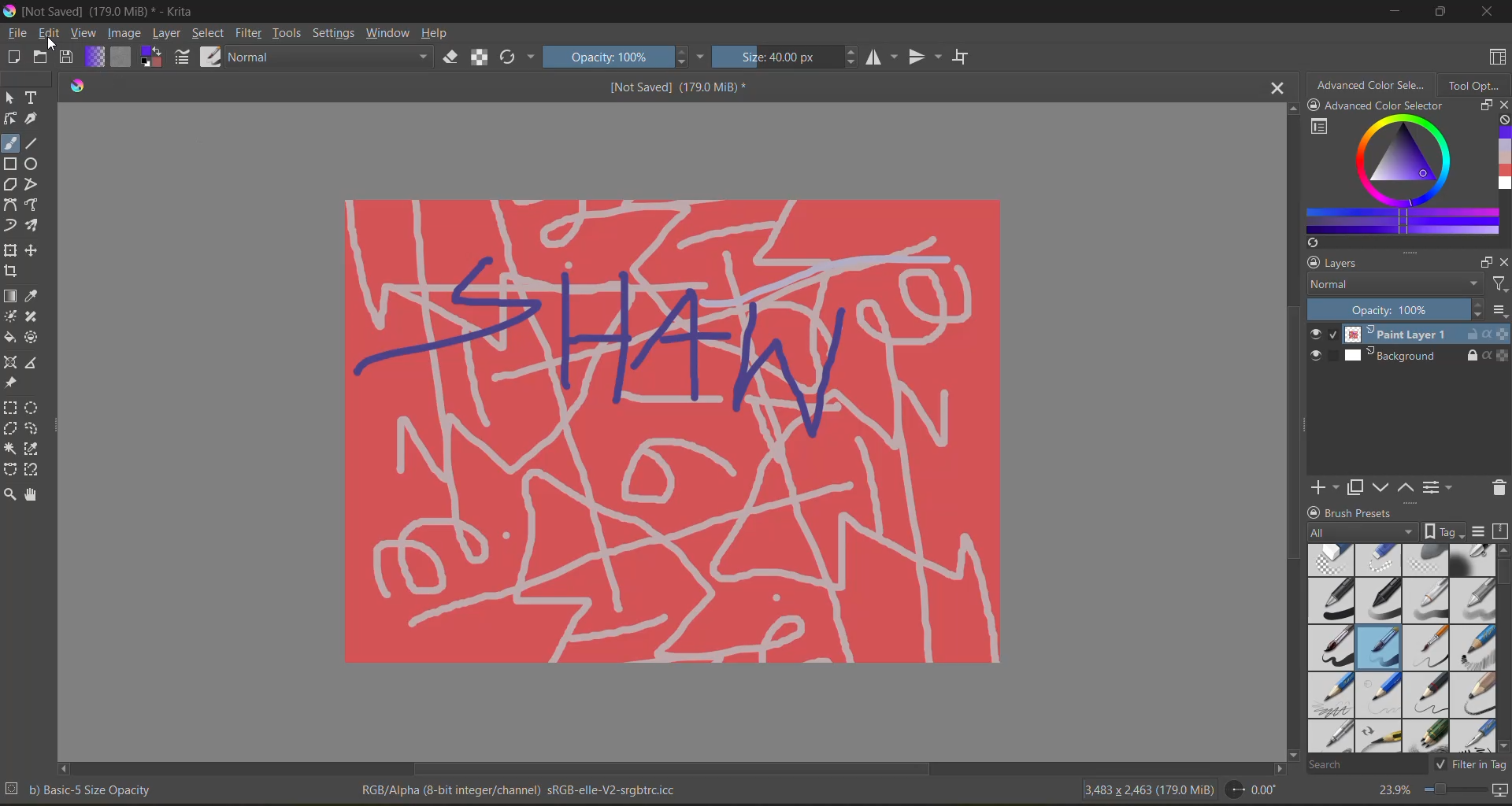 This screenshot has height=806, width=1512. What do you see at coordinates (11, 296) in the screenshot?
I see `draw a gradient` at bounding box center [11, 296].